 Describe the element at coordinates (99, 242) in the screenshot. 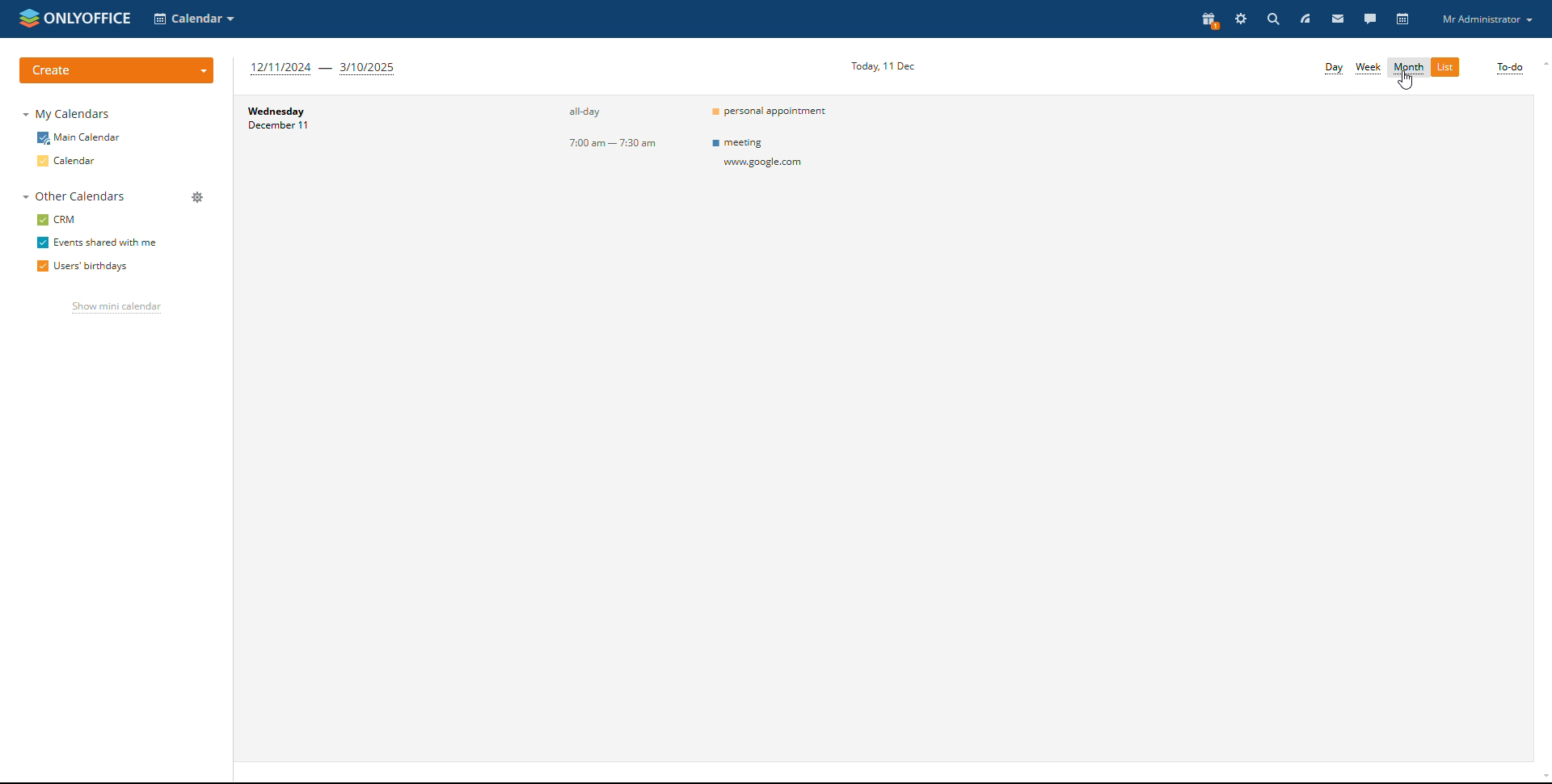

I see `evebts shared with me` at that location.